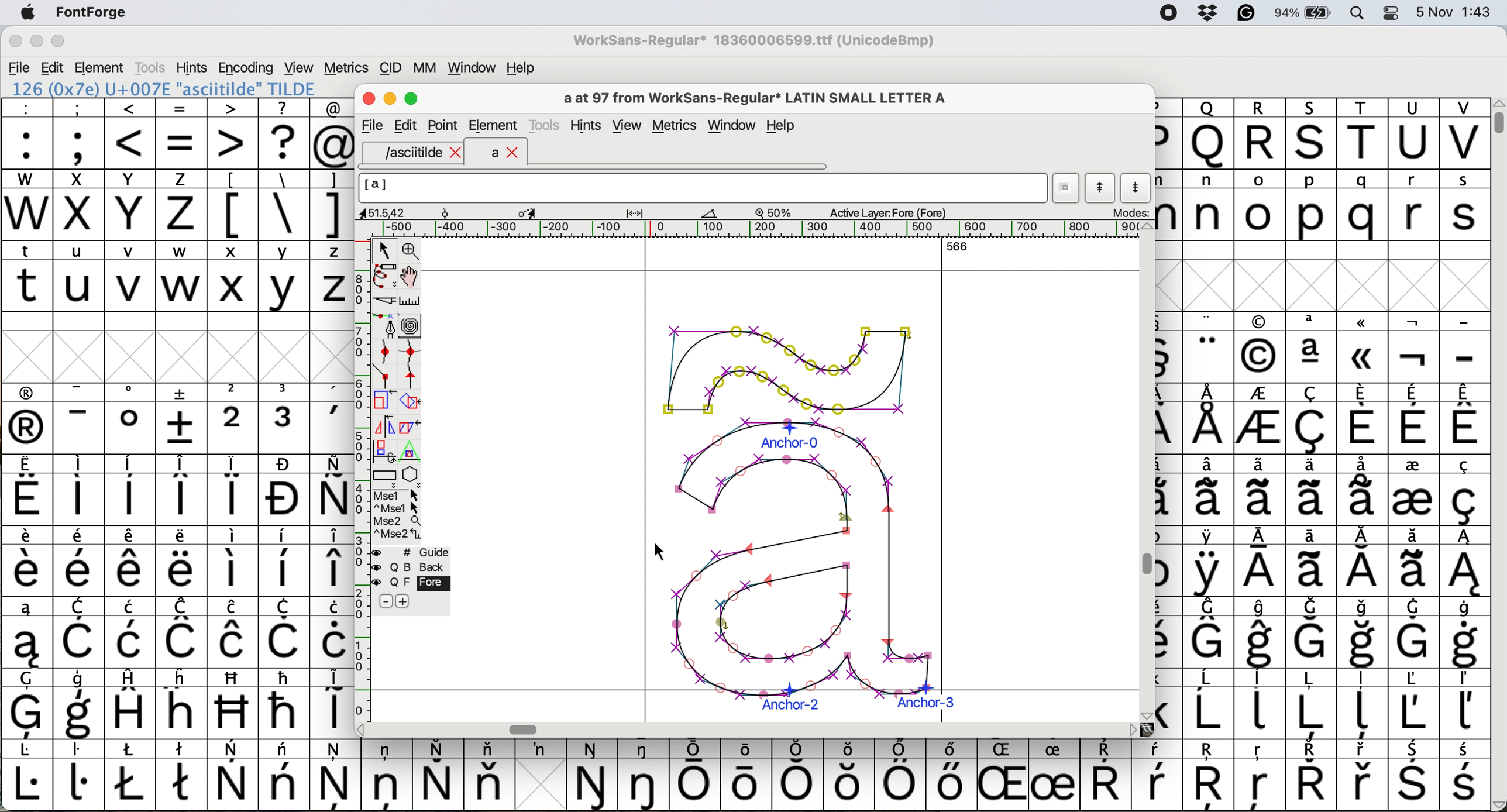 This screenshot has width=1507, height=812. Describe the element at coordinates (1210, 704) in the screenshot. I see `symbol` at that location.